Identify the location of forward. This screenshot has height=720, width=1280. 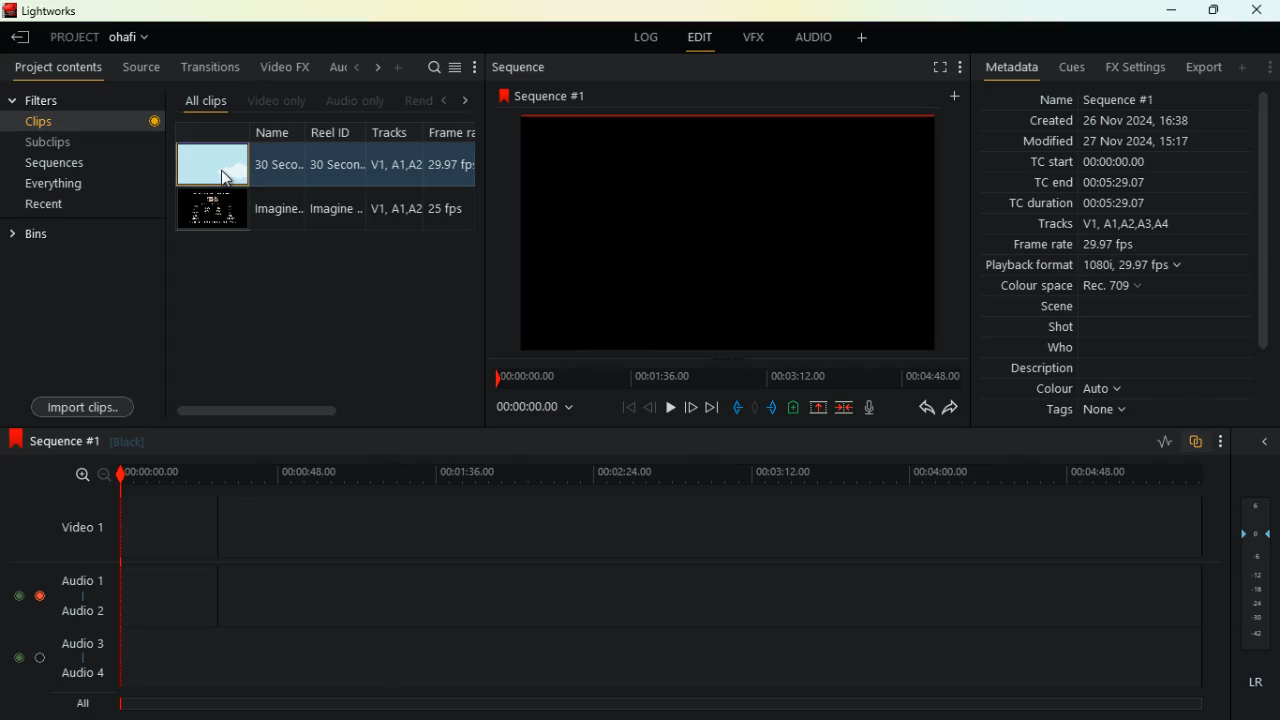
(691, 409).